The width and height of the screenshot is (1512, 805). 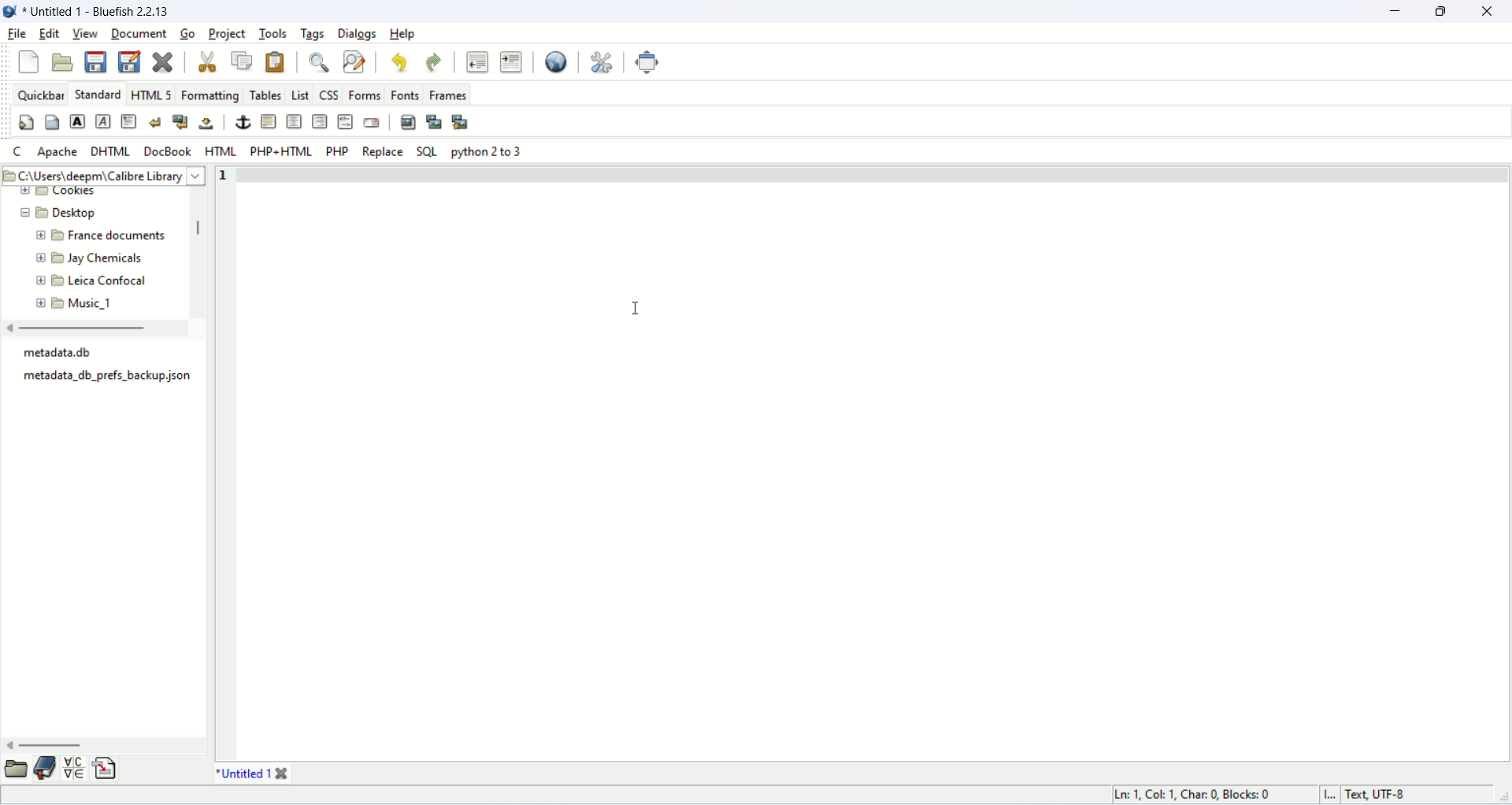 I want to click on HTML comment, so click(x=345, y=121).